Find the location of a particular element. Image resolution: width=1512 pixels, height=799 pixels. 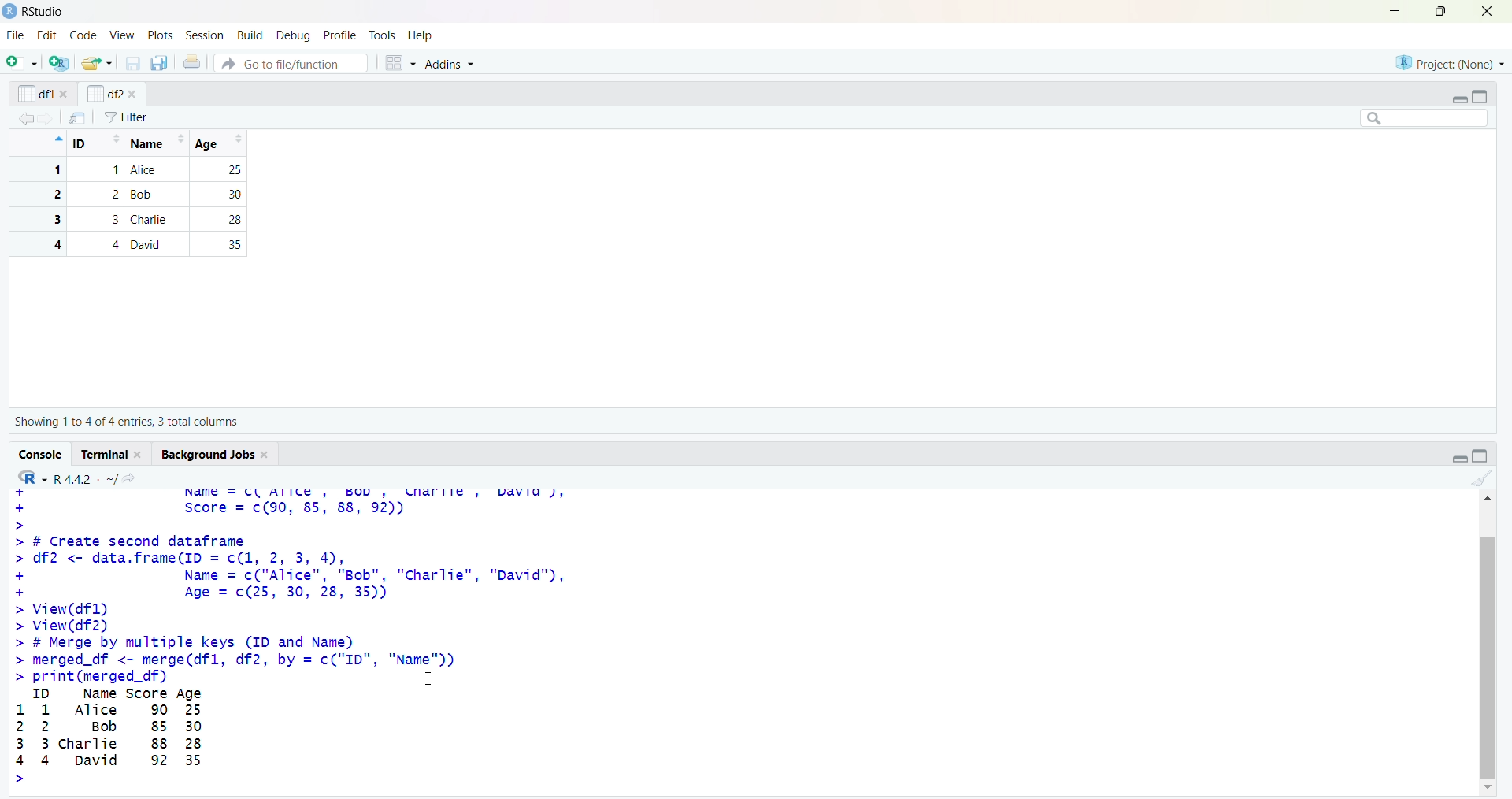

Name is located at coordinates (156, 143).